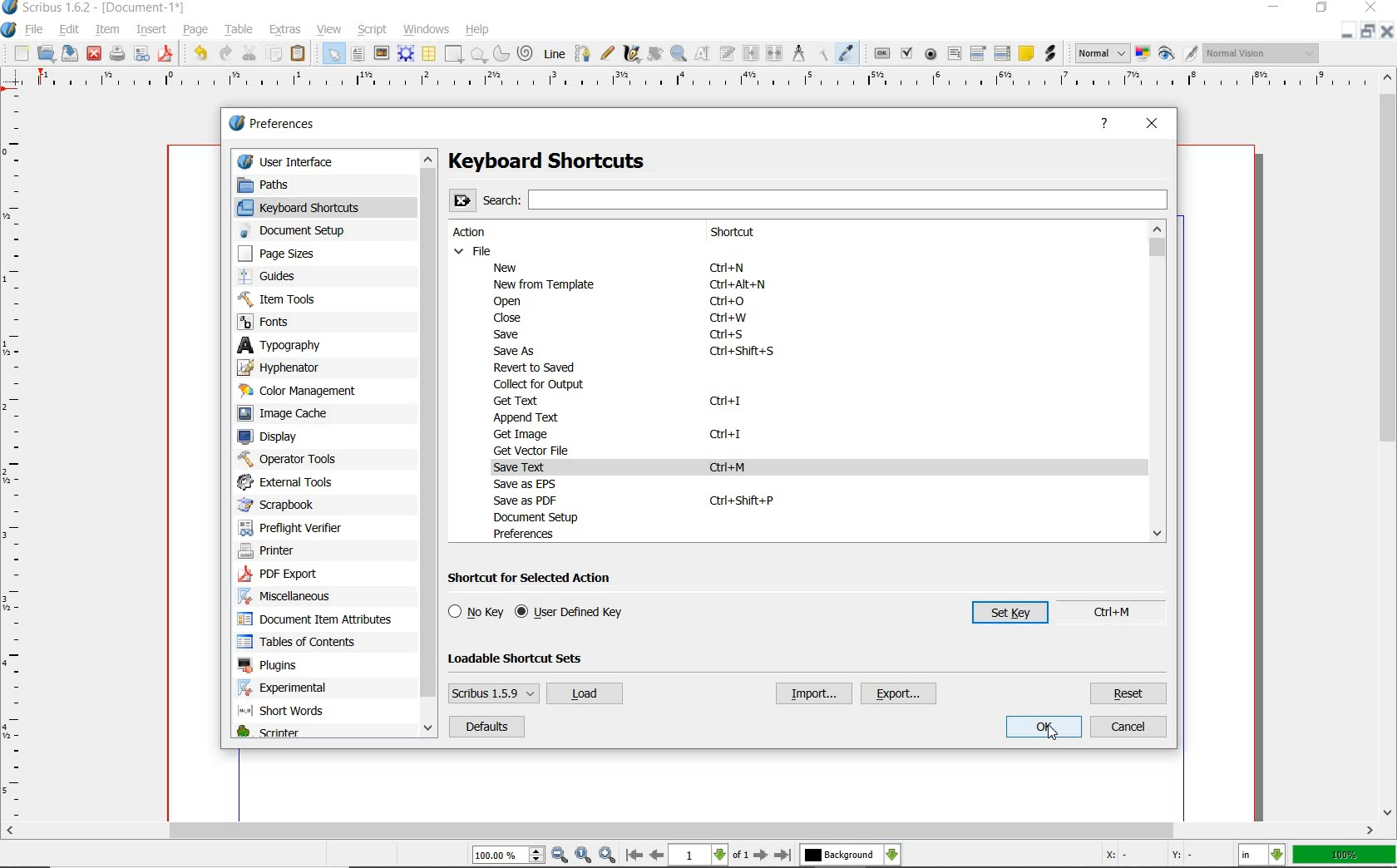  I want to click on reset, so click(1129, 693).